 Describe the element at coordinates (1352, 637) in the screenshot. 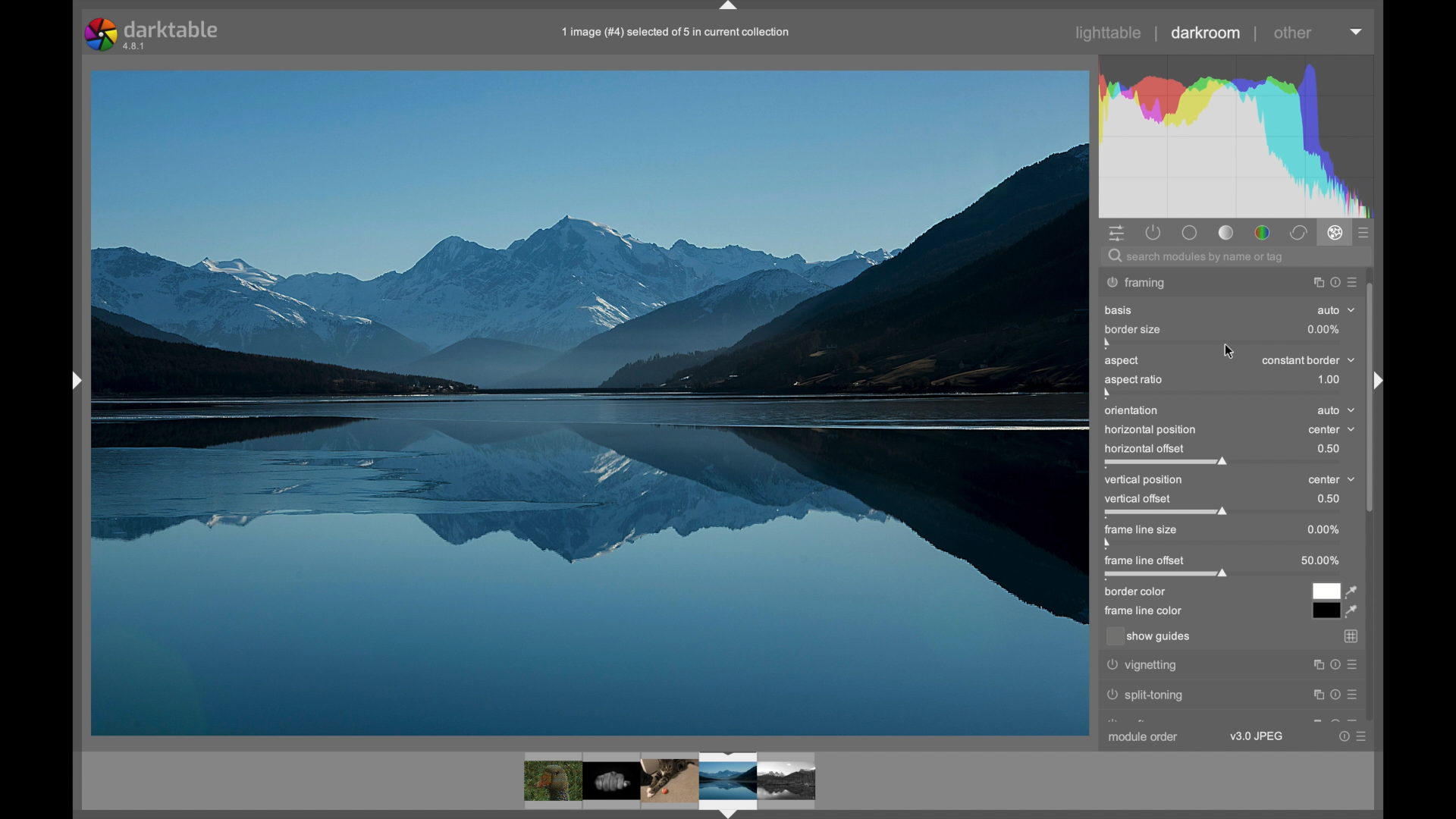

I see `gridlines` at that location.